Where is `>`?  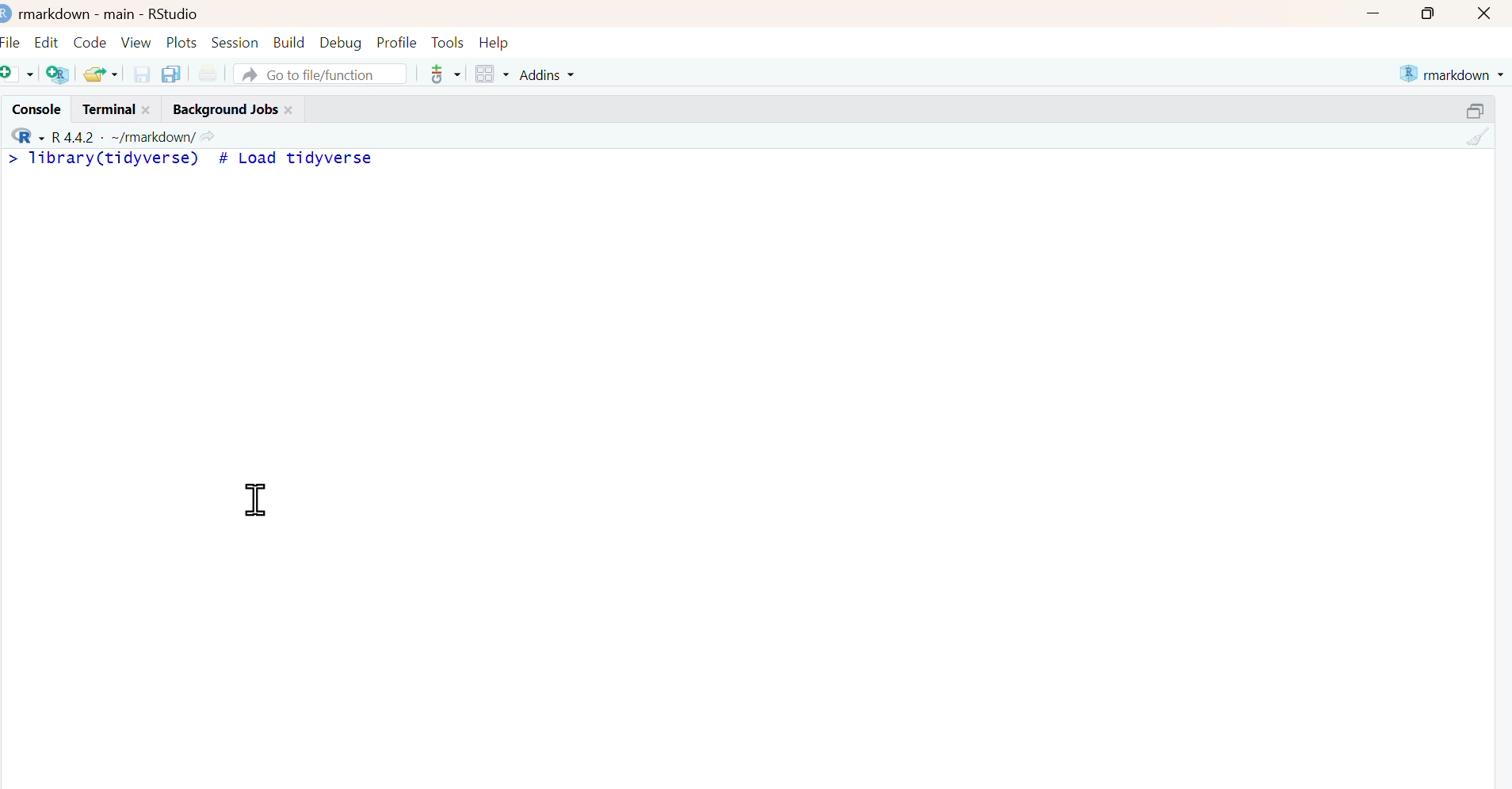
> is located at coordinates (12, 159).